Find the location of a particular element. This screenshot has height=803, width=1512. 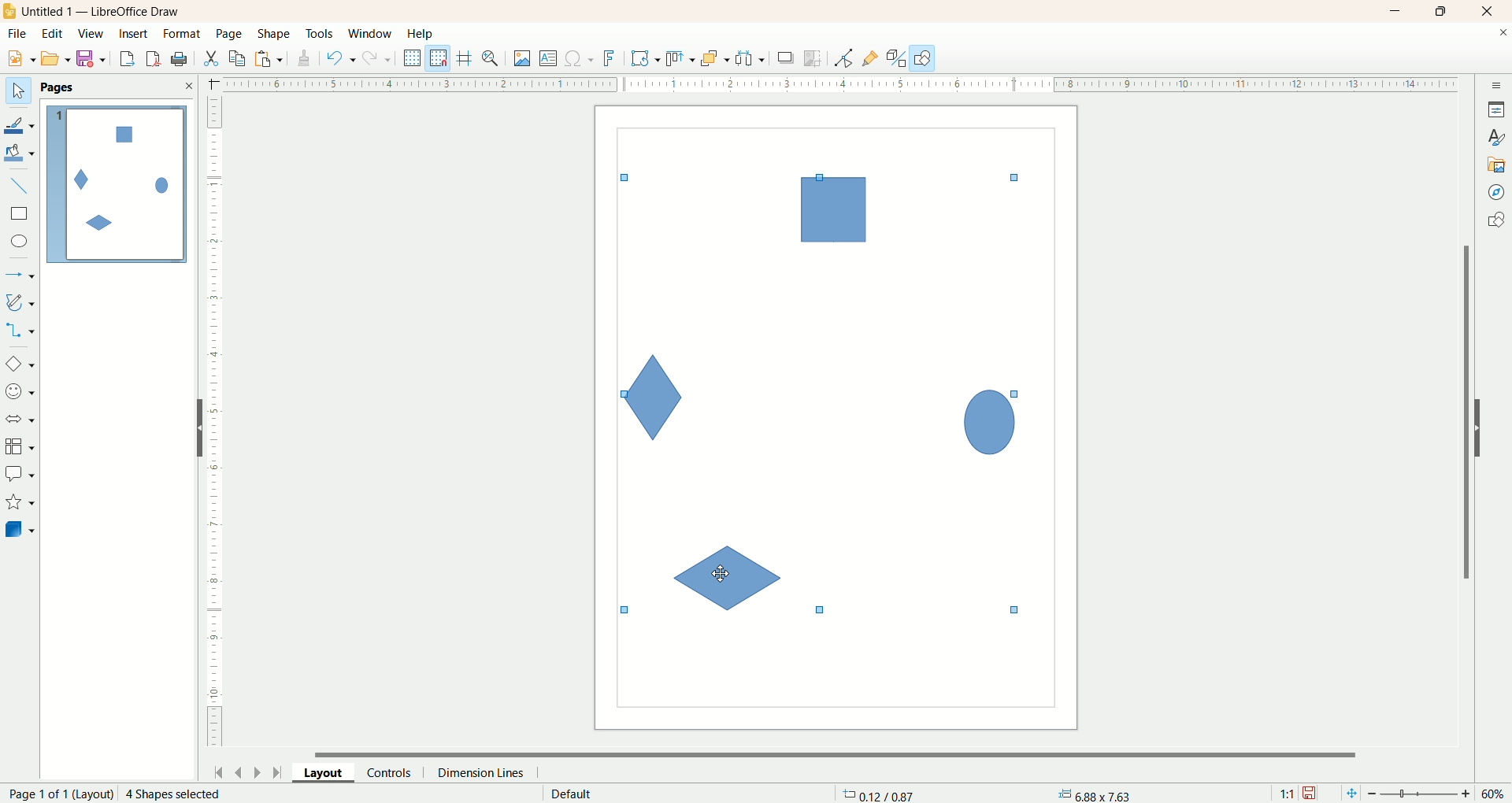

minimize is located at coordinates (1396, 11).